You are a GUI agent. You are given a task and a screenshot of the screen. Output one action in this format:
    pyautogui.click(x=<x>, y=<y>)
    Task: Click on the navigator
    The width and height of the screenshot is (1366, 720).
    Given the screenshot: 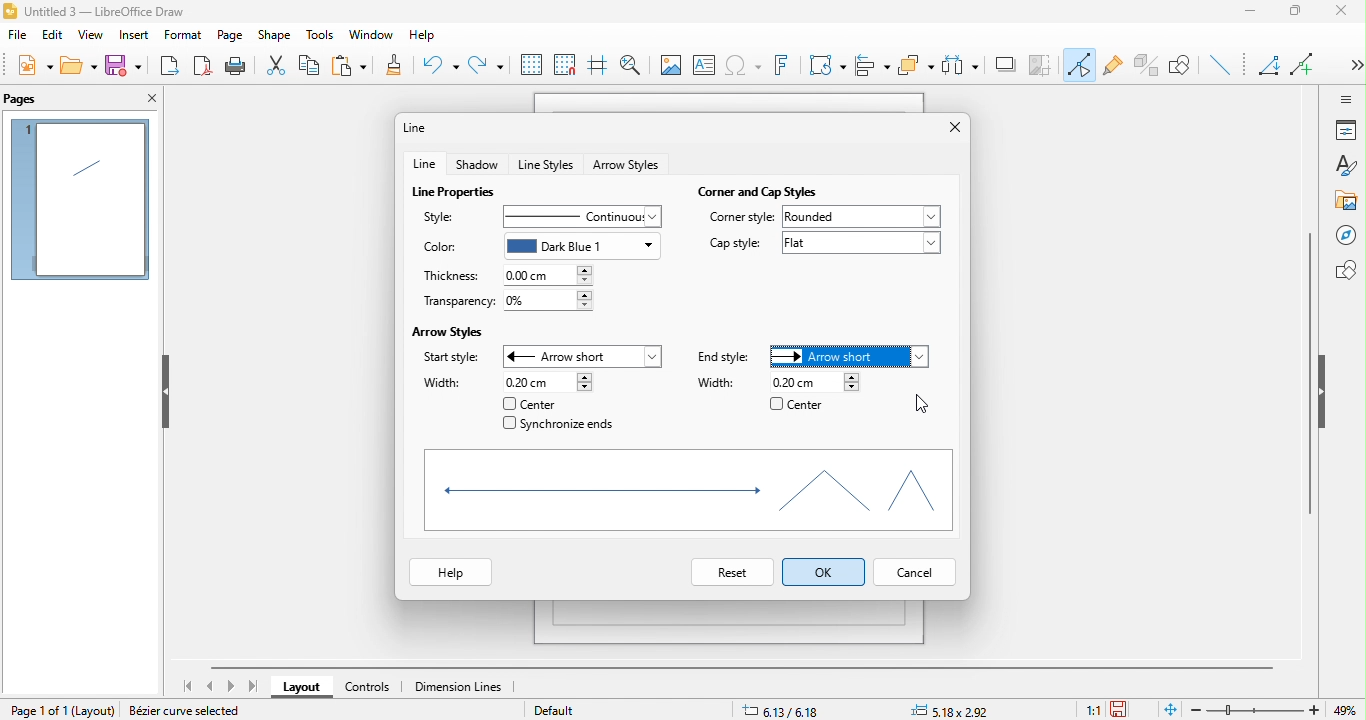 What is the action you would take?
    pyautogui.click(x=1345, y=235)
    